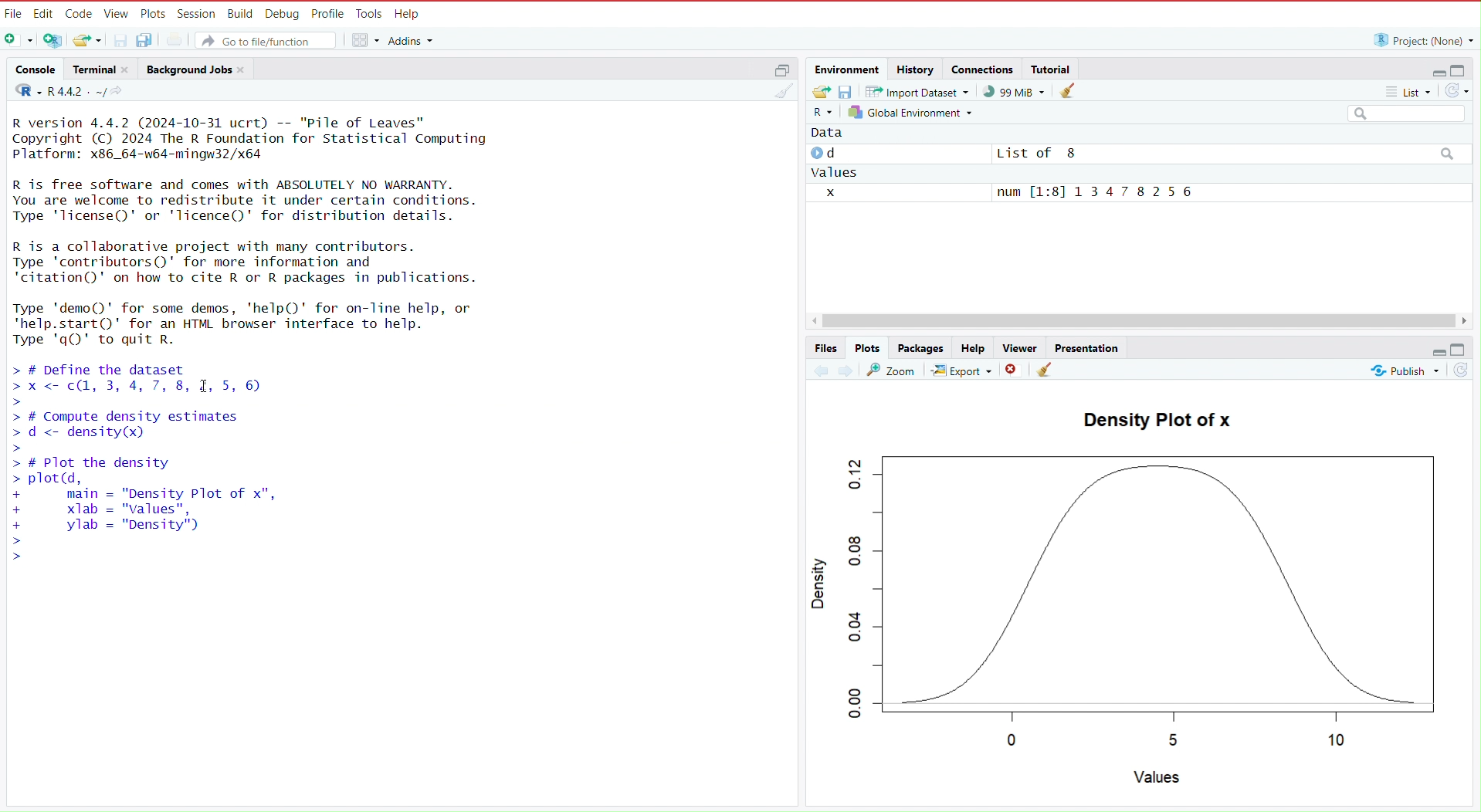 This screenshot has width=1481, height=812. What do you see at coordinates (837, 155) in the screenshot?
I see `d` at bounding box center [837, 155].